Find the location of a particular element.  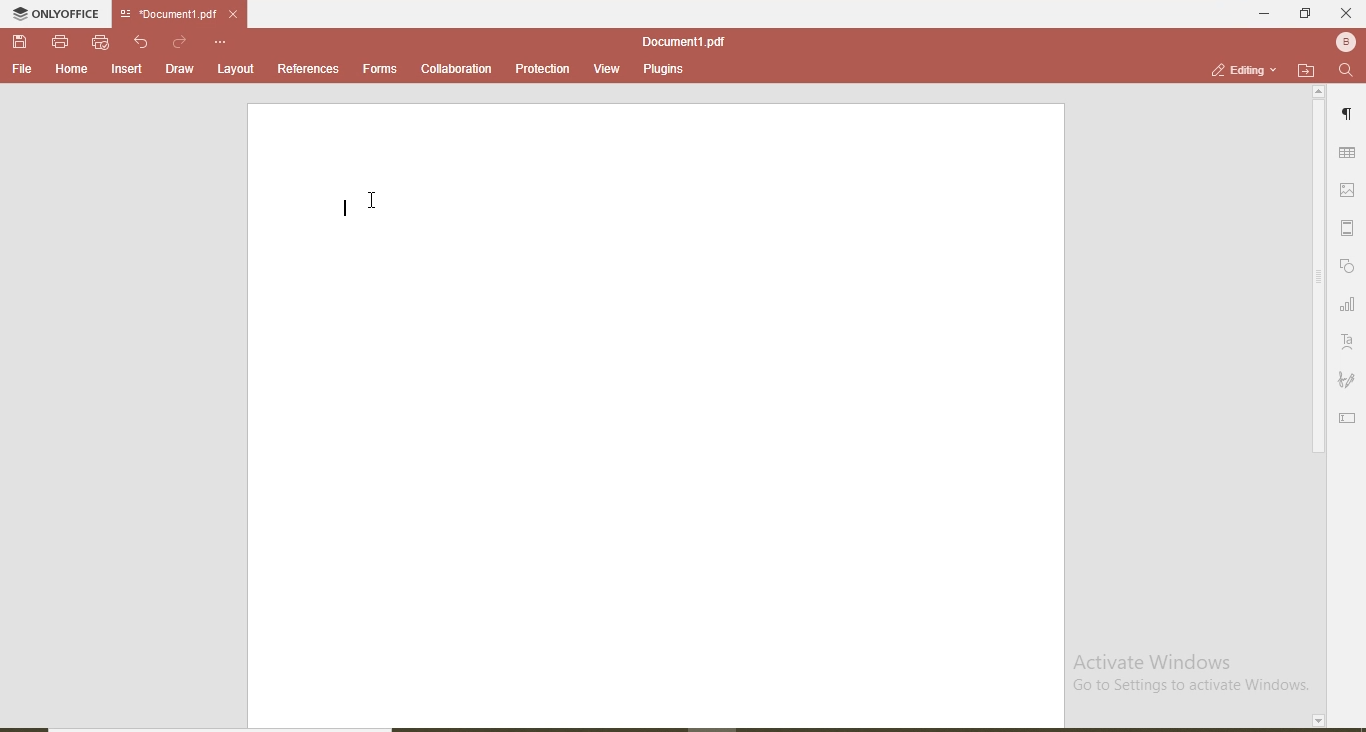

undo is located at coordinates (144, 42).